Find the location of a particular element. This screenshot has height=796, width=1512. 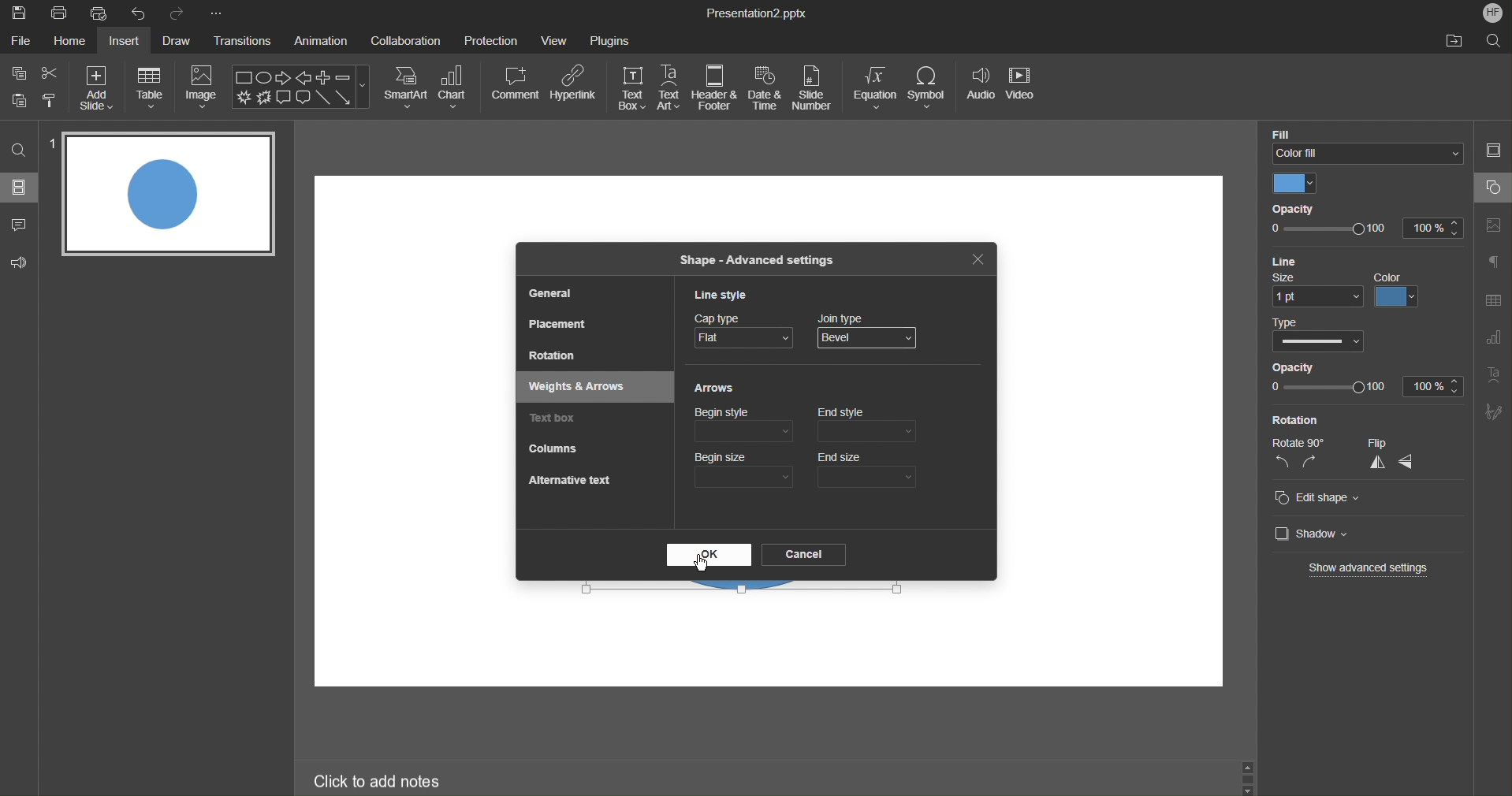

Insert is located at coordinates (128, 42).